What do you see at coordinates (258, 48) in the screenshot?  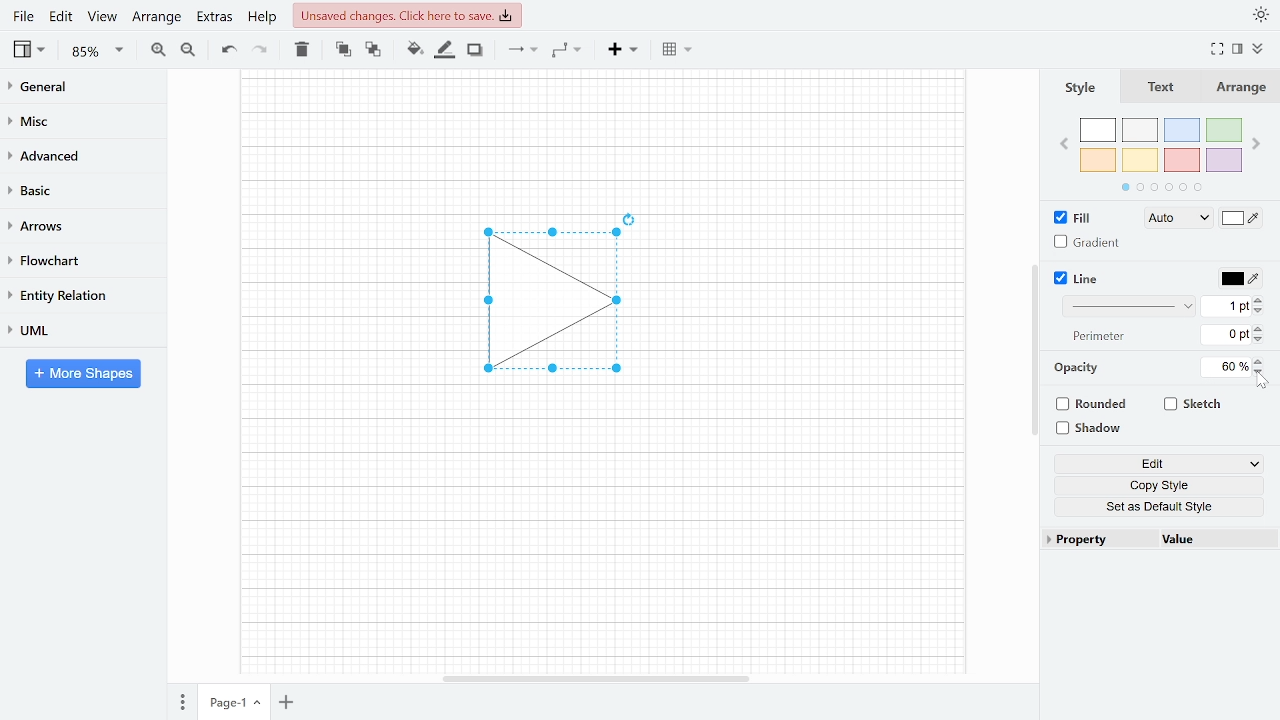 I see `Redo` at bounding box center [258, 48].